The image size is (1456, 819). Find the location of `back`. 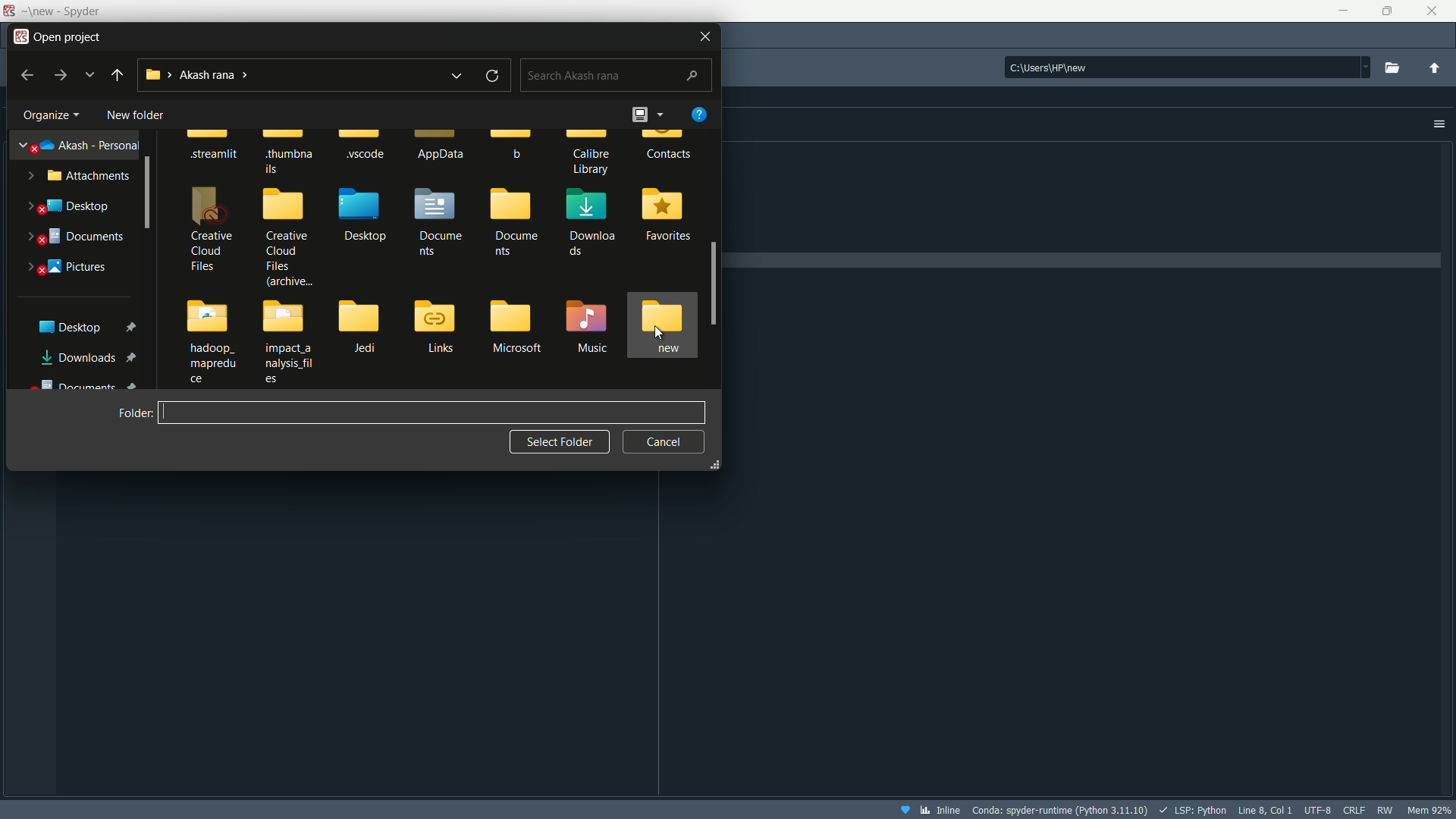

back is located at coordinates (118, 74).